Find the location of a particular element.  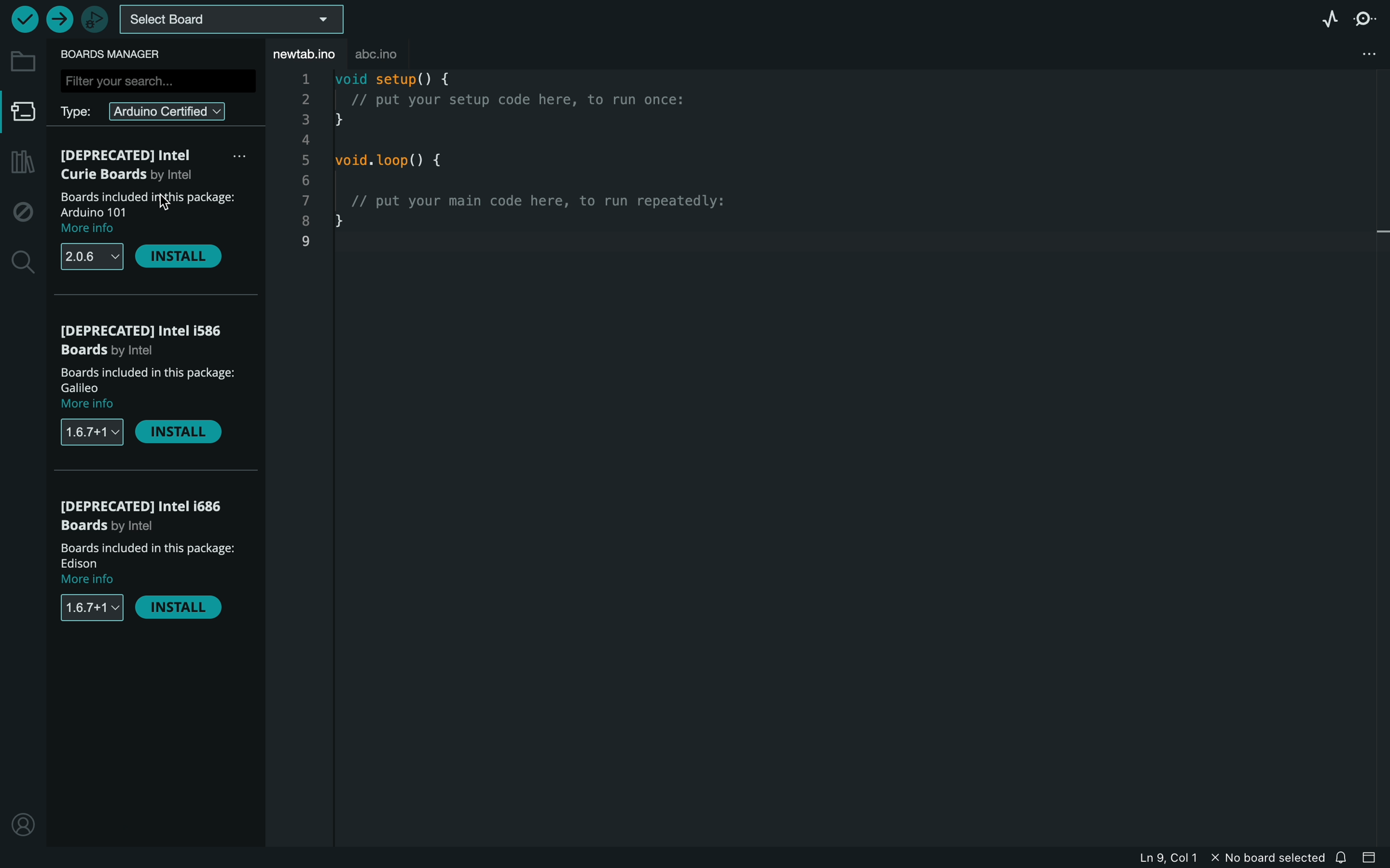

versions is located at coordinates (95, 432).